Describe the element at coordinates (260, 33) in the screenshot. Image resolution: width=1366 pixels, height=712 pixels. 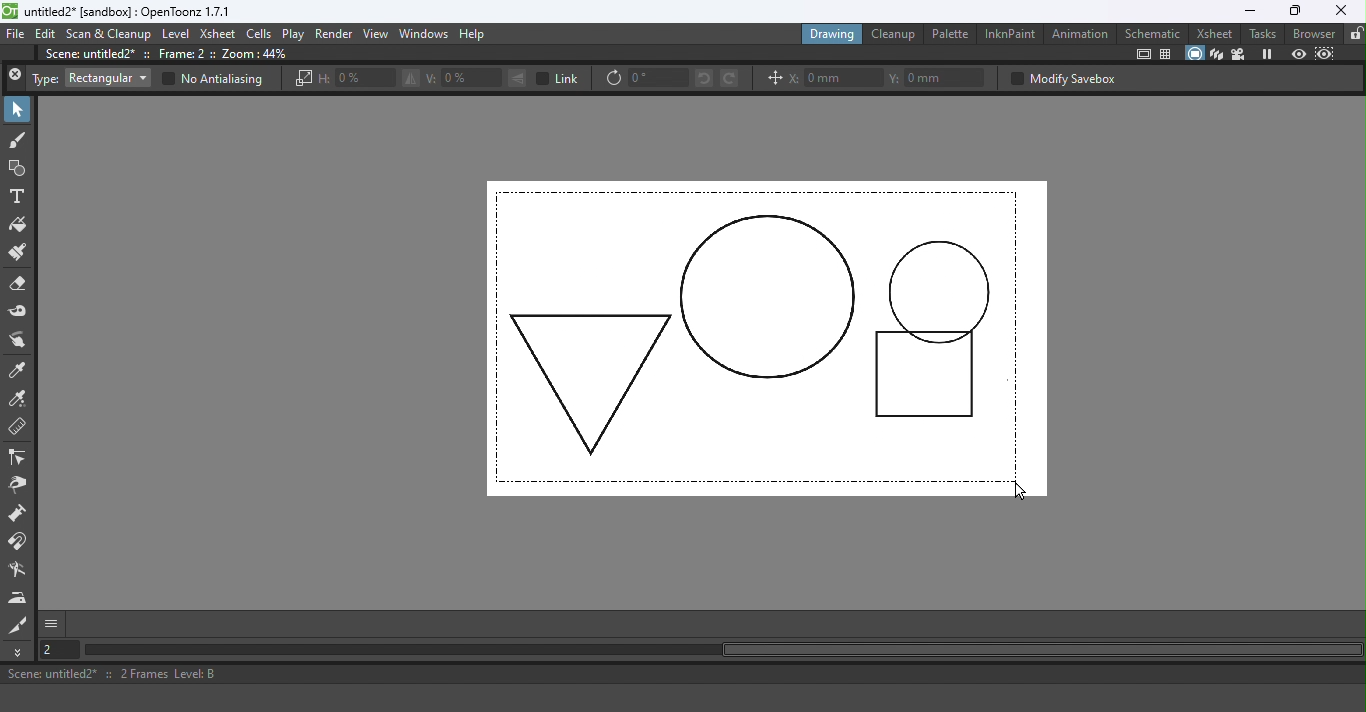
I see `Cells` at that location.